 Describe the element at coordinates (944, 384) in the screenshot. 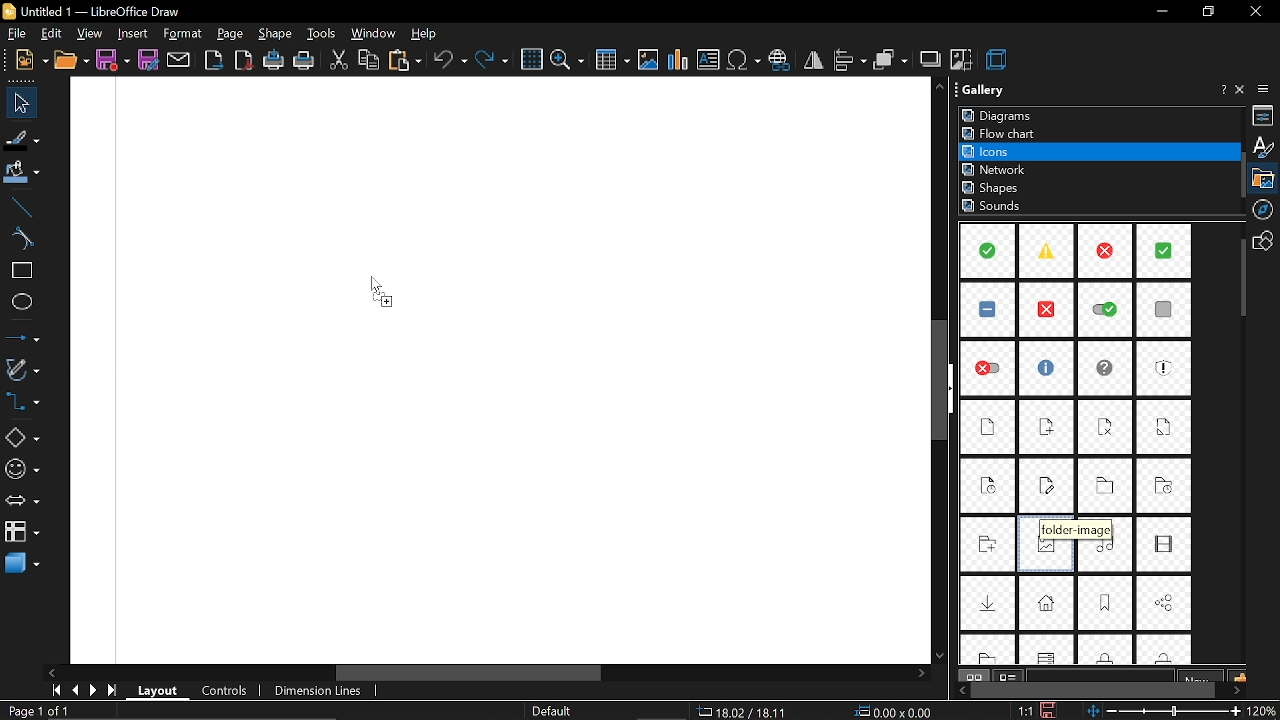

I see `vertical scrollbar` at that location.